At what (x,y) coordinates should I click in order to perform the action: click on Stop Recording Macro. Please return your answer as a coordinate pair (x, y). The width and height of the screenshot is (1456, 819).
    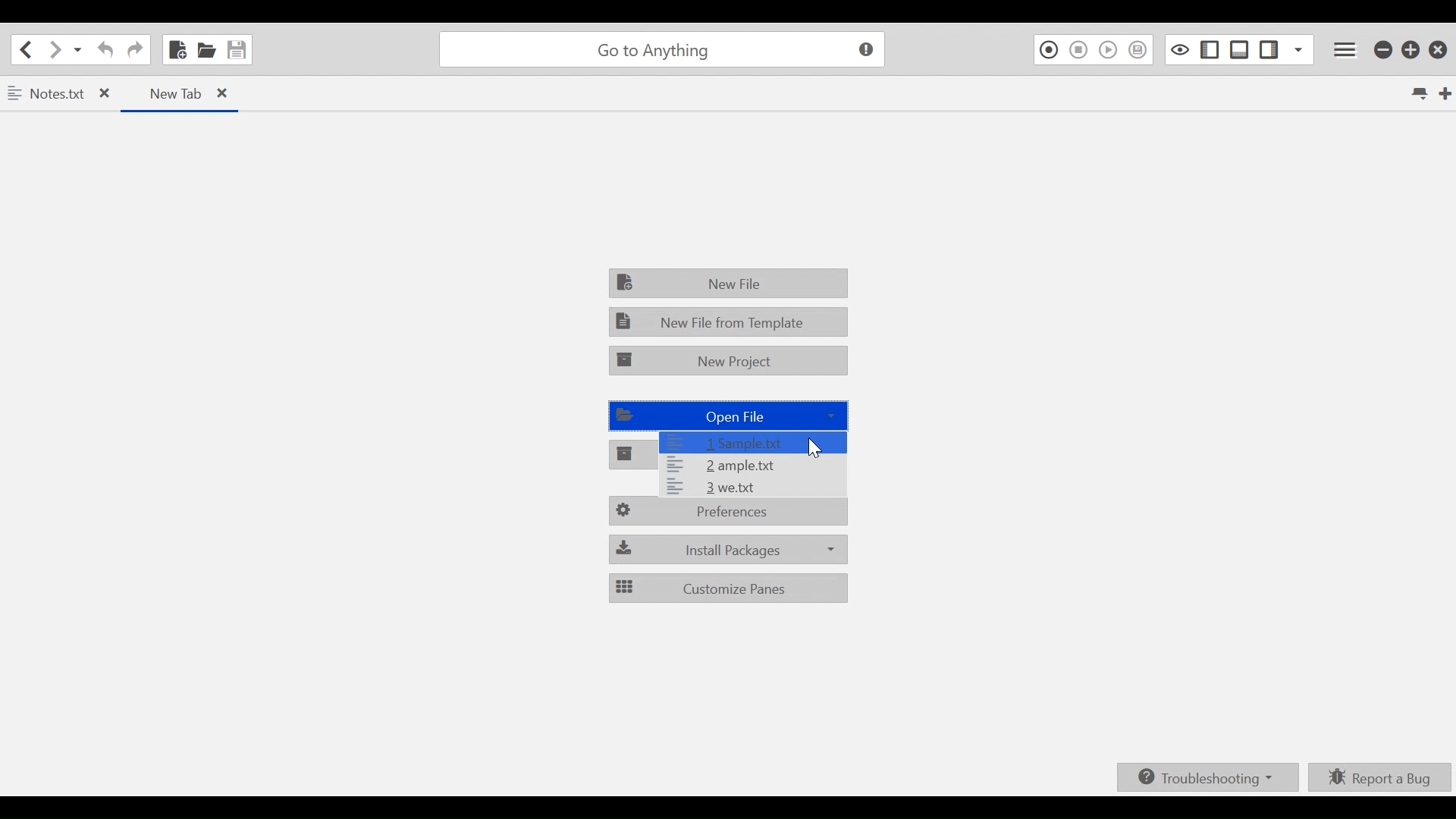
    Looking at the image, I should click on (1078, 50).